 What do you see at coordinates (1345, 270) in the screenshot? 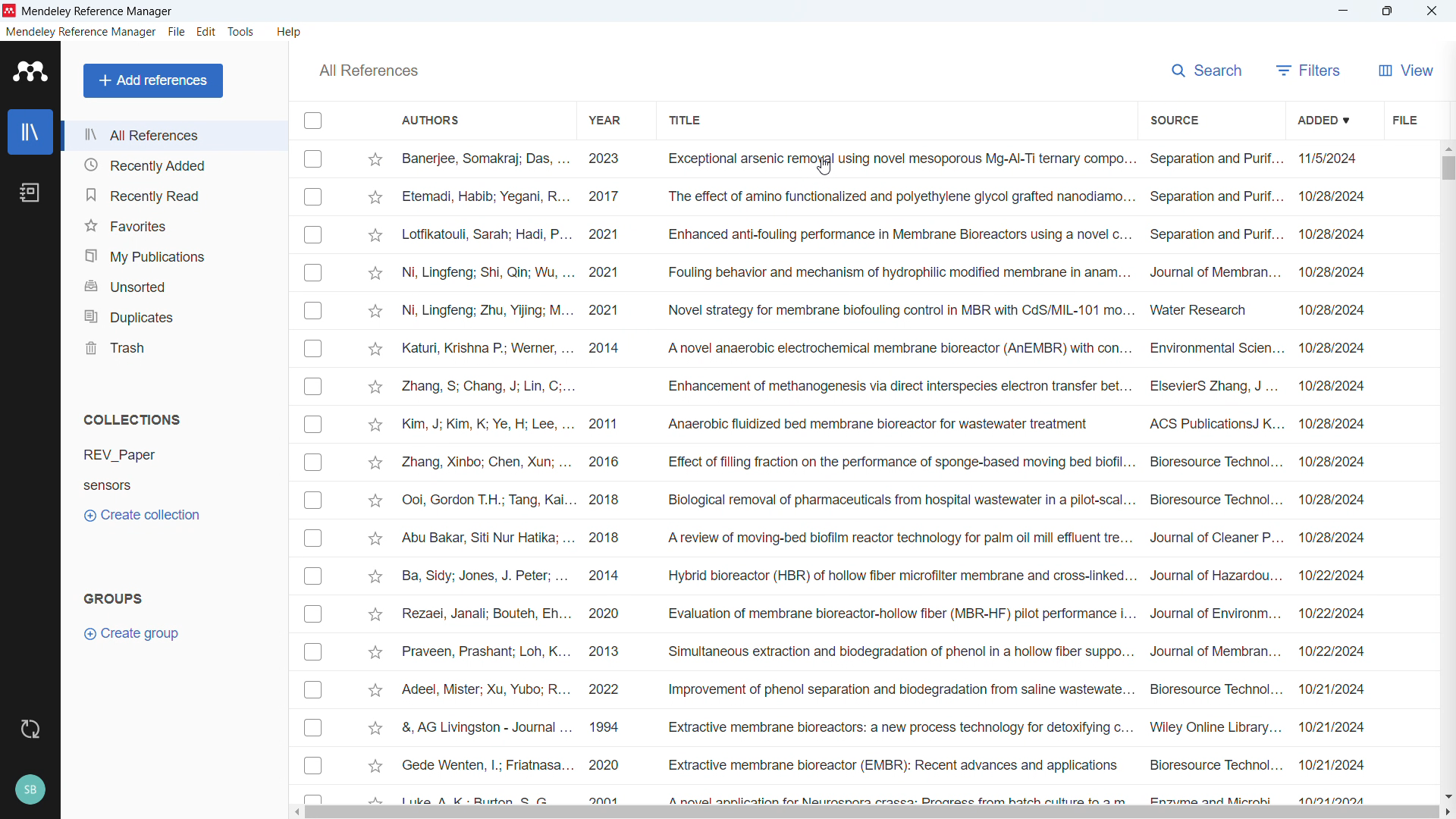
I see `10/28/2024` at bounding box center [1345, 270].